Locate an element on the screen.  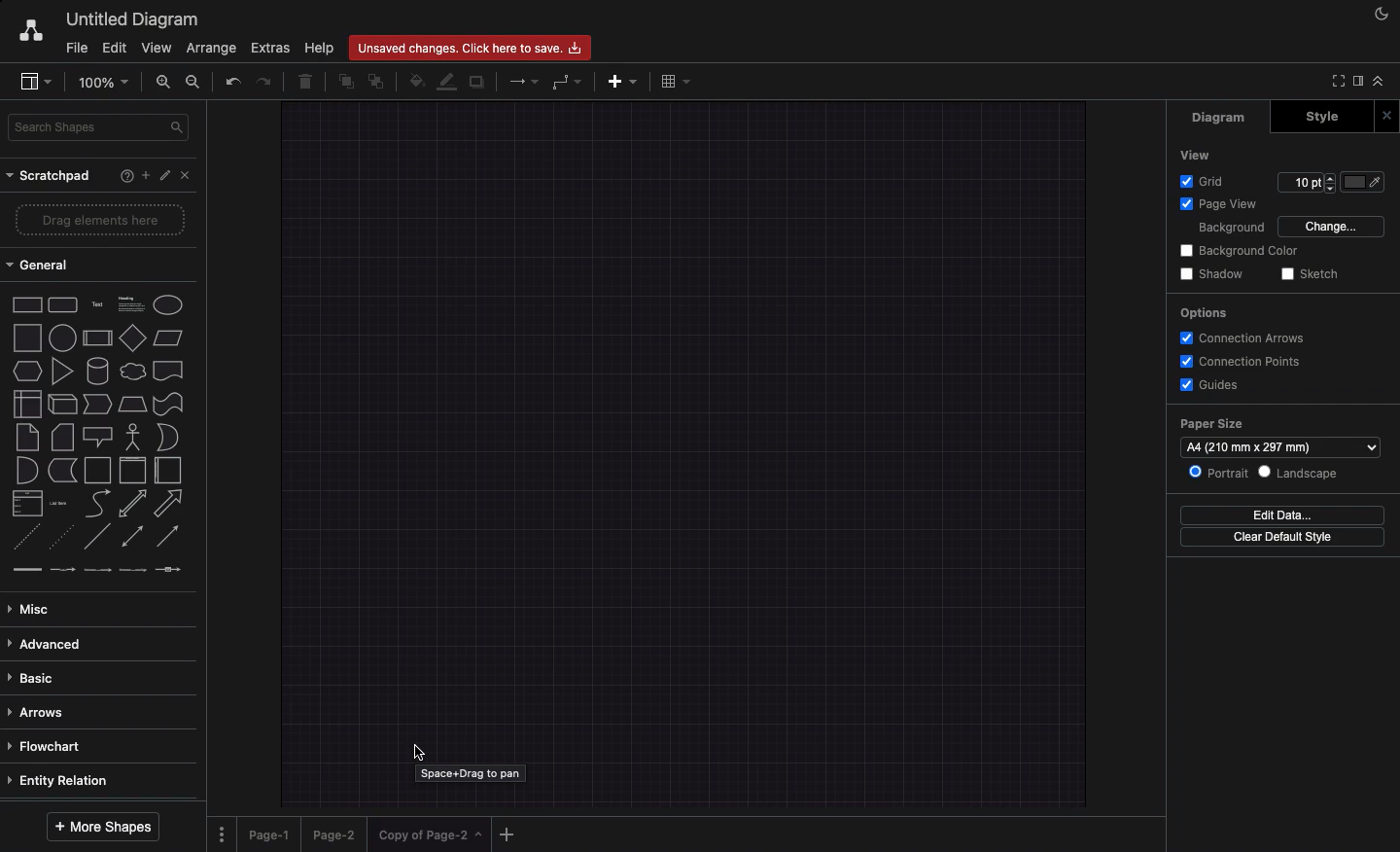
Zoom in is located at coordinates (161, 85).